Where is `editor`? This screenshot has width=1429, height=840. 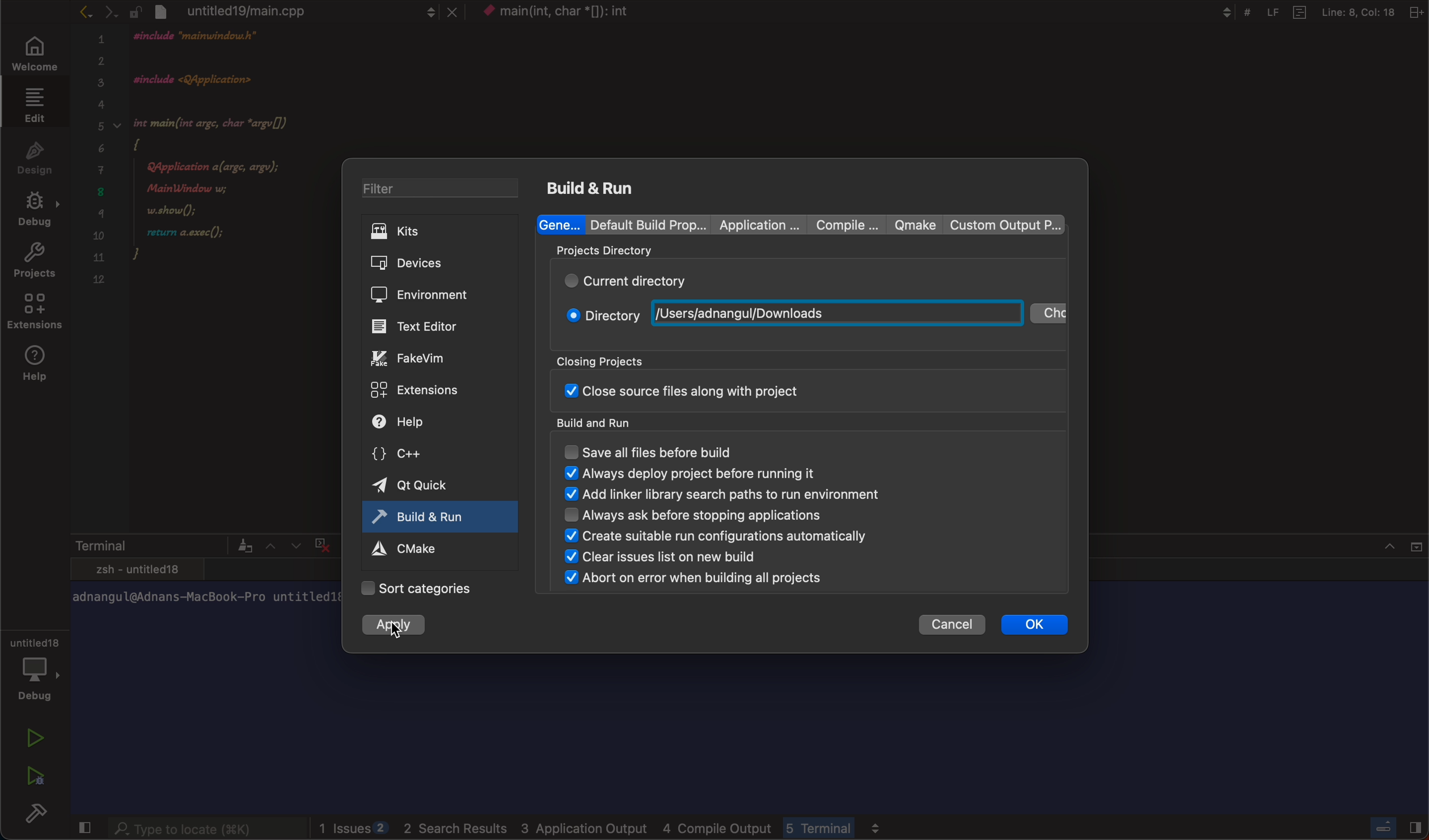
editor is located at coordinates (421, 326).